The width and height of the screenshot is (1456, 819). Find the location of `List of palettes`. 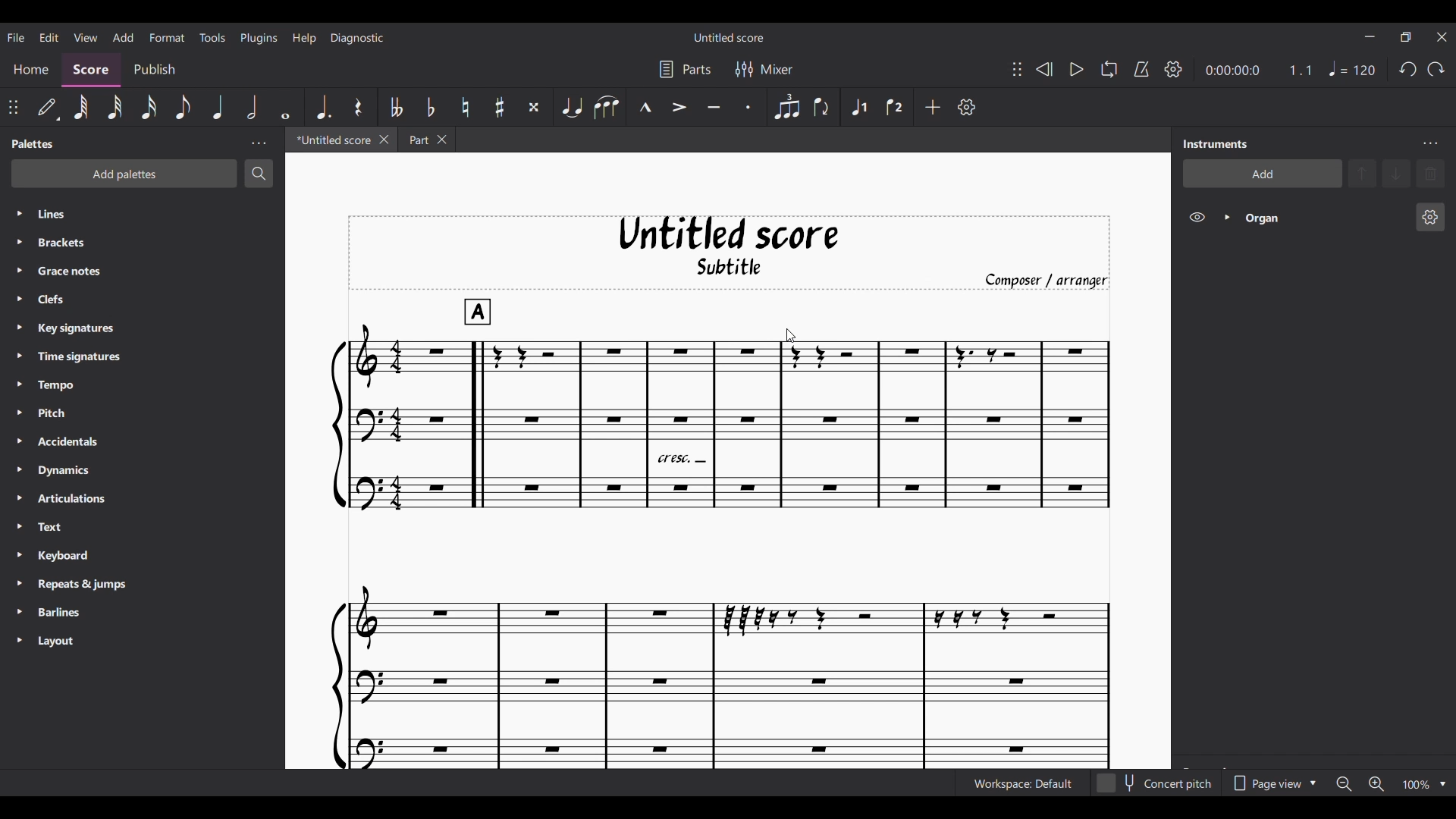

List of palettes is located at coordinates (158, 428).